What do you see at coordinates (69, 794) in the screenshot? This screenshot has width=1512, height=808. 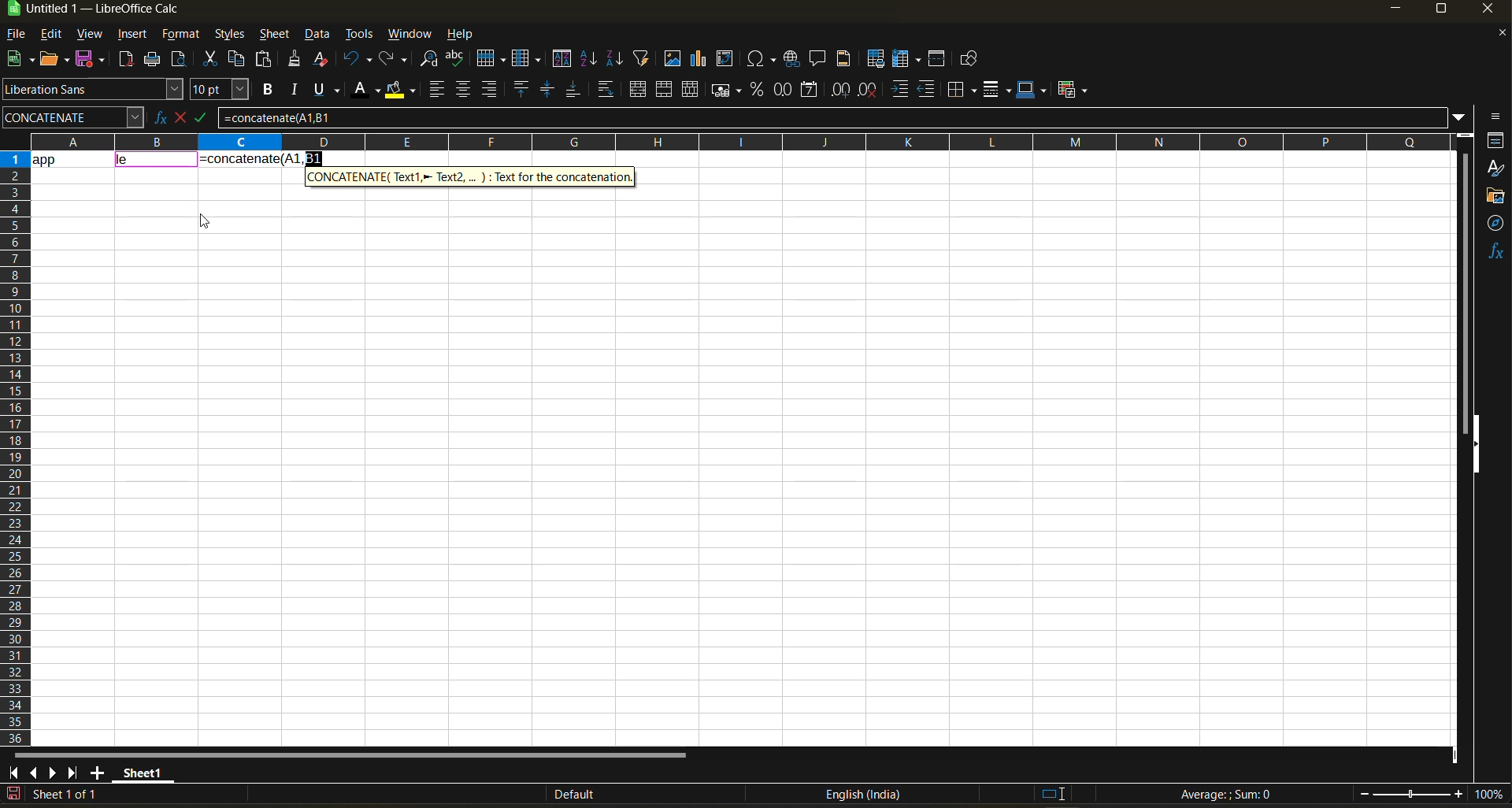 I see `sheet number` at bounding box center [69, 794].